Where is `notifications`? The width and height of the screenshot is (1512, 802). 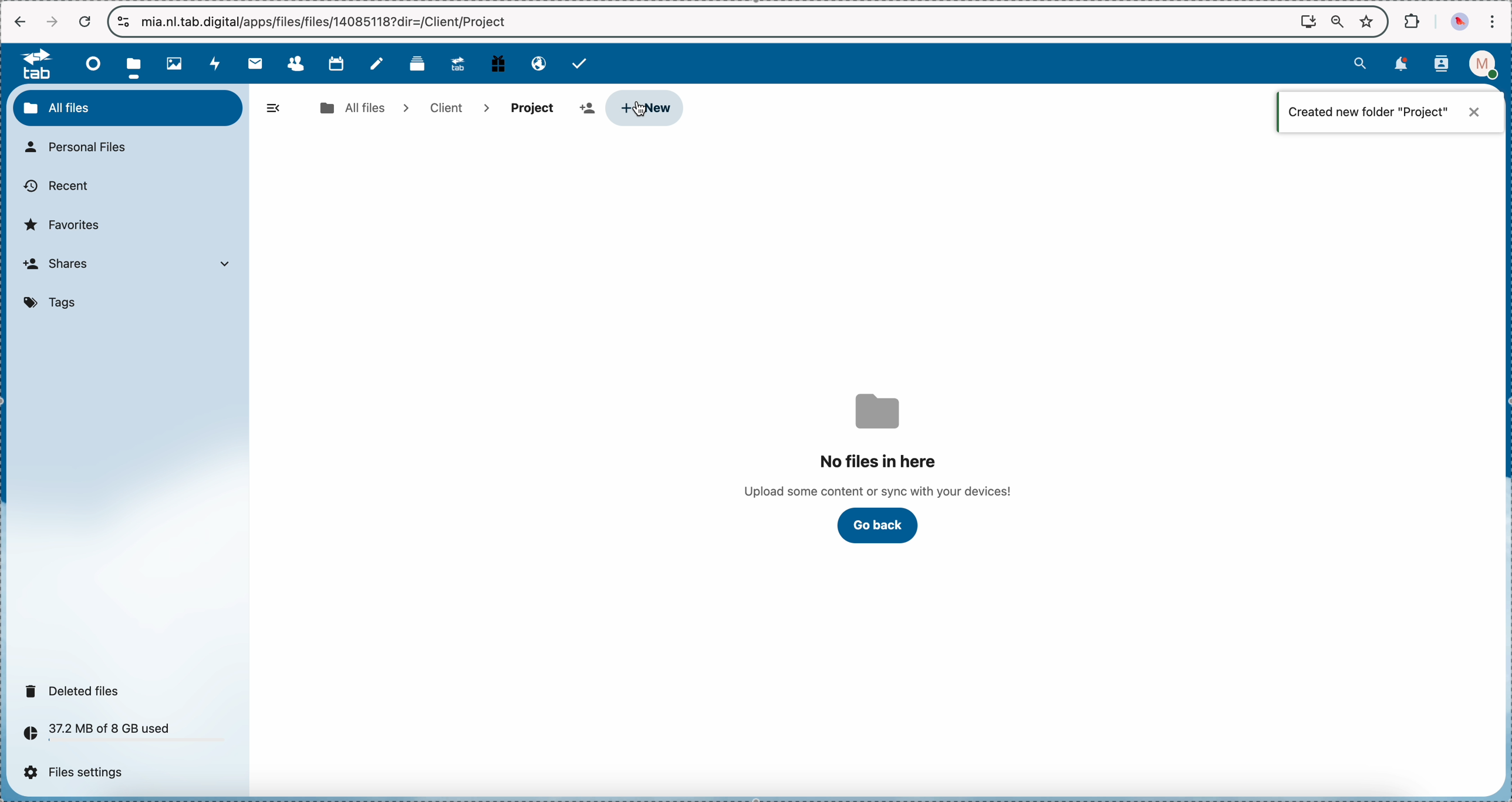 notifications is located at coordinates (1399, 65).